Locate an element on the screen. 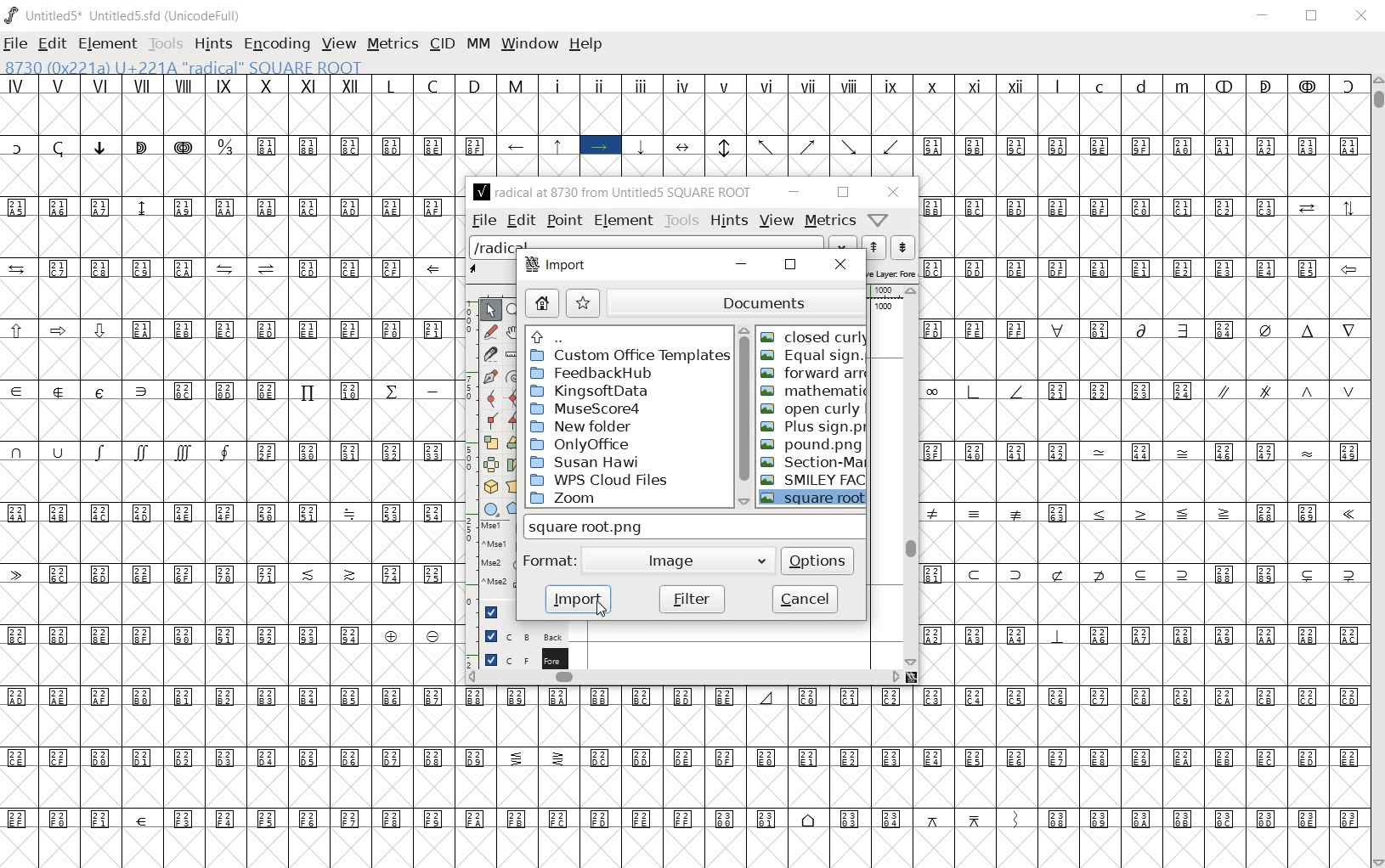  forward arrow is located at coordinates (814, 374).